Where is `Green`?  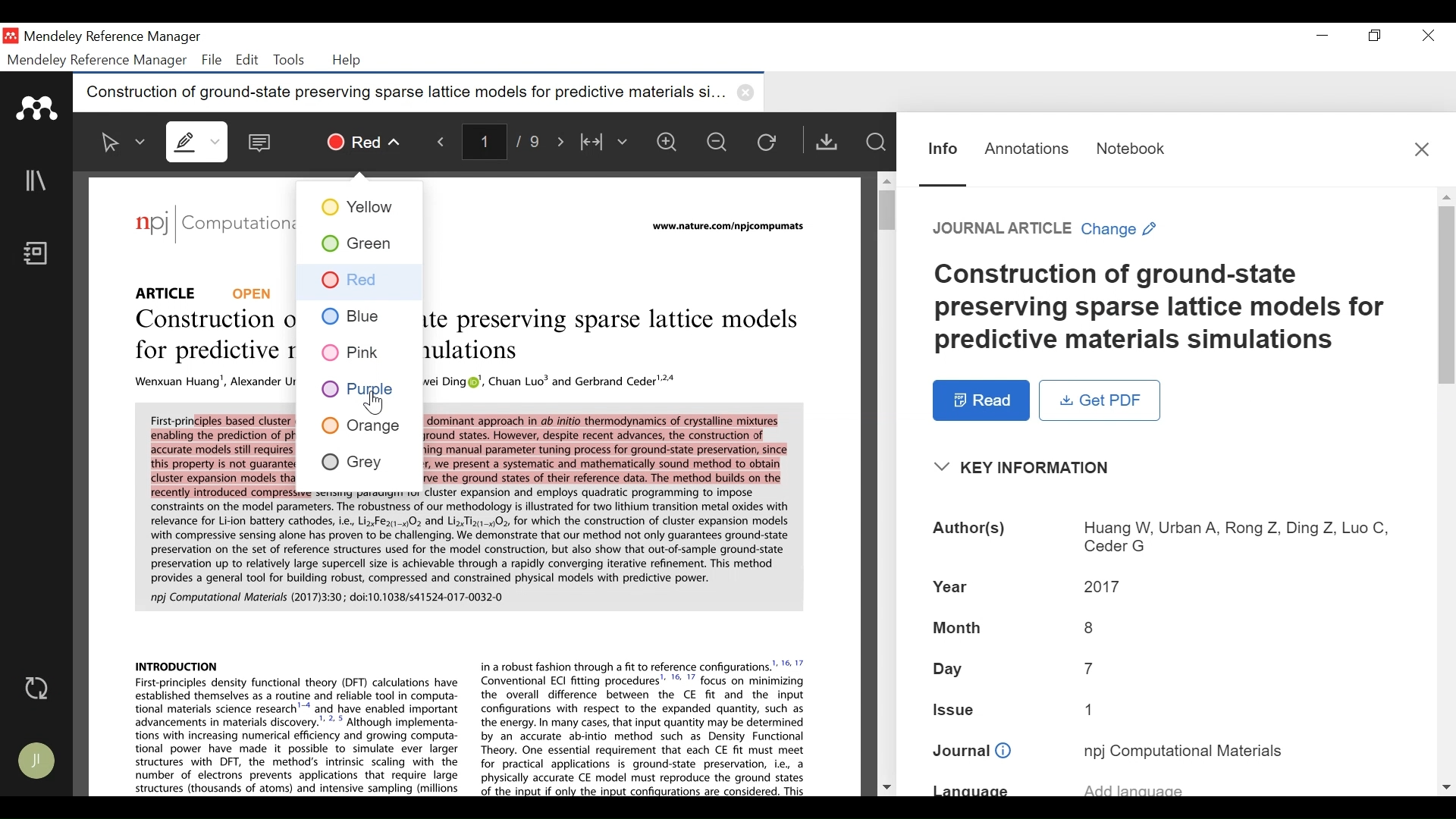
Green is located at coordinates (353, 243).